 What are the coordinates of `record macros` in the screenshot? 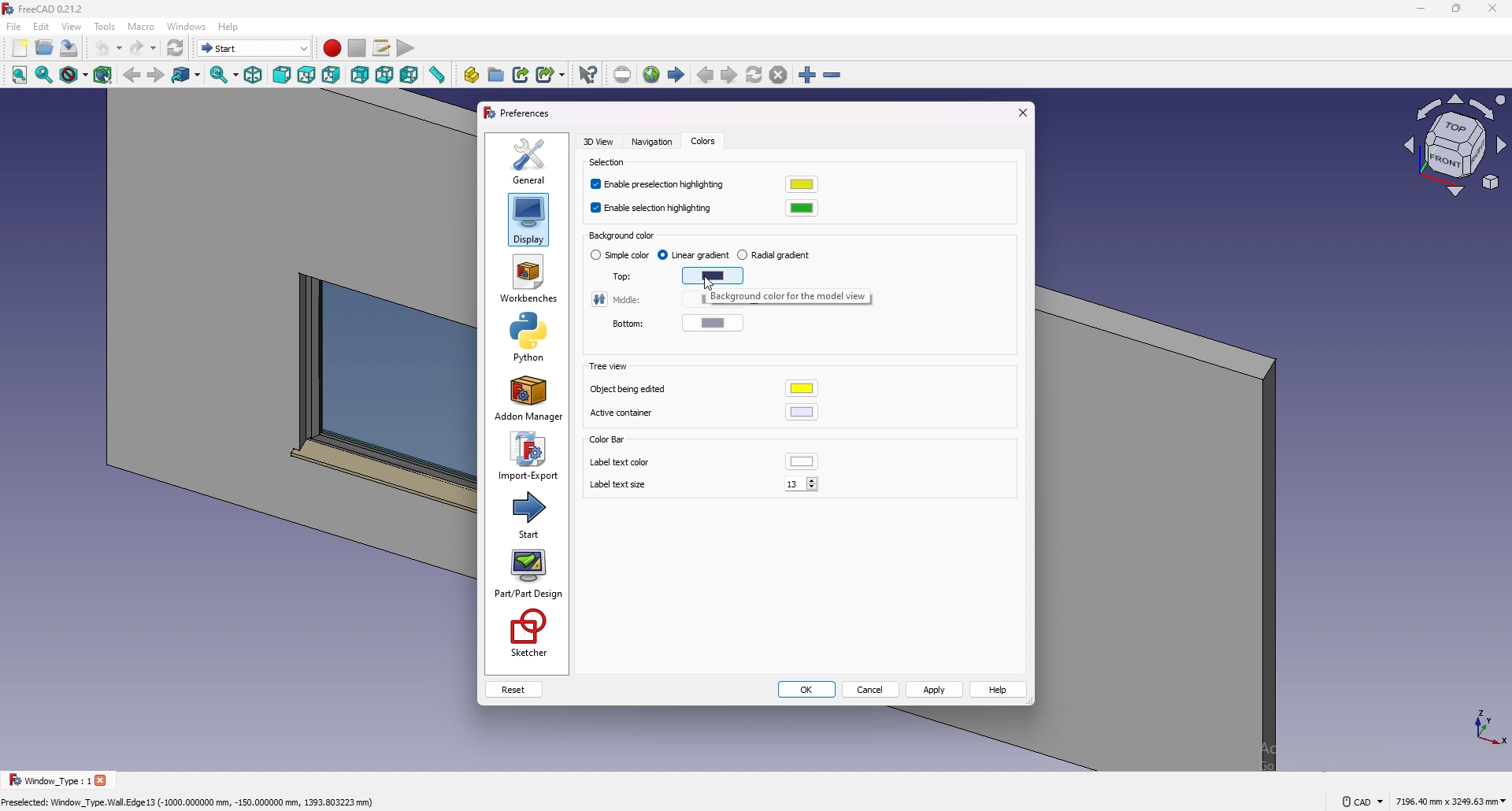 It's located at (332, 48).